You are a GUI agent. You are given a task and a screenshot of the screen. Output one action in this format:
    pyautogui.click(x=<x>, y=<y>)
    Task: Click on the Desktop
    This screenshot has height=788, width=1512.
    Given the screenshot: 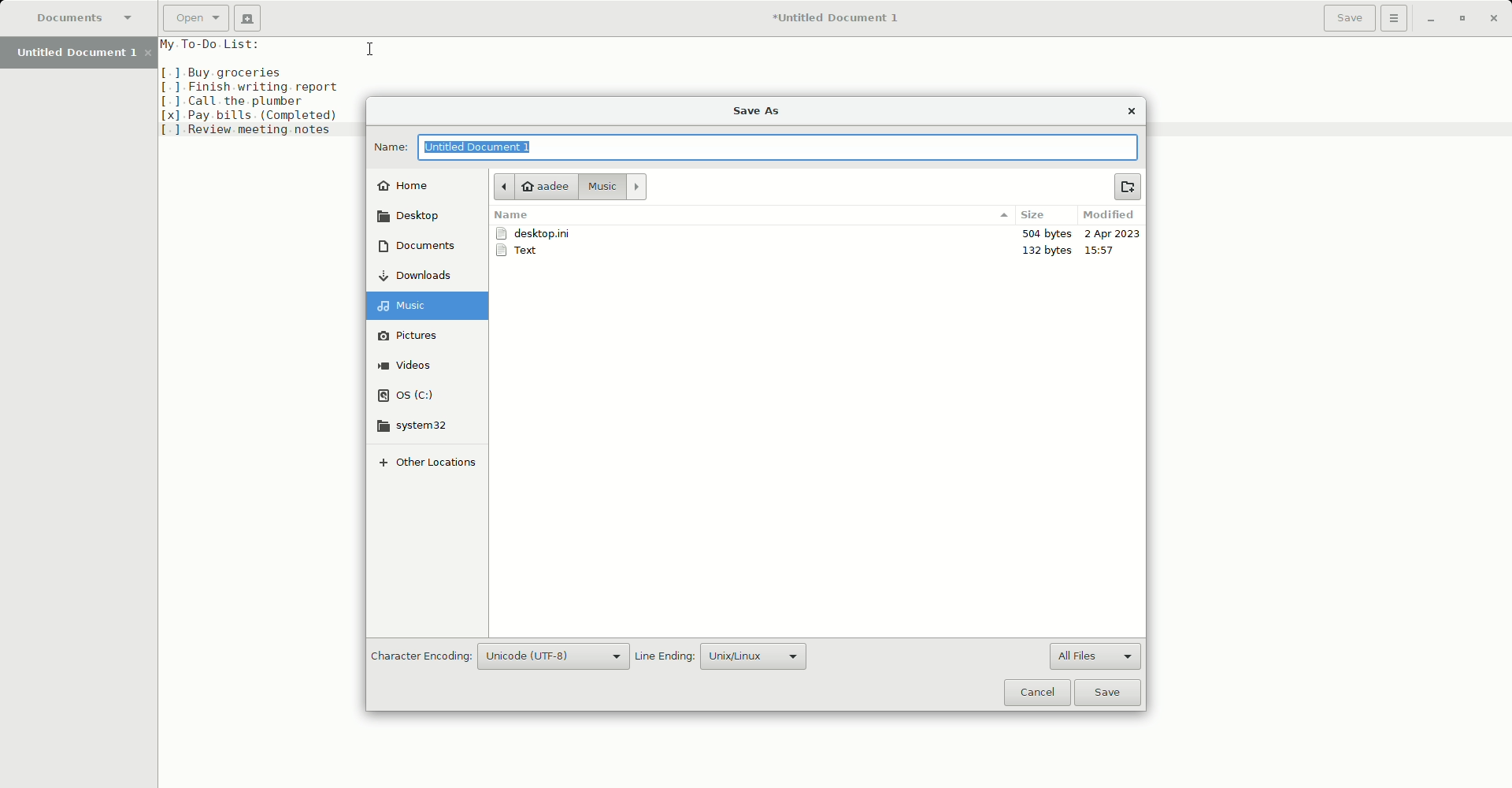 What is the action you would take?
    pyautogui.click(x=416, y=216)
    